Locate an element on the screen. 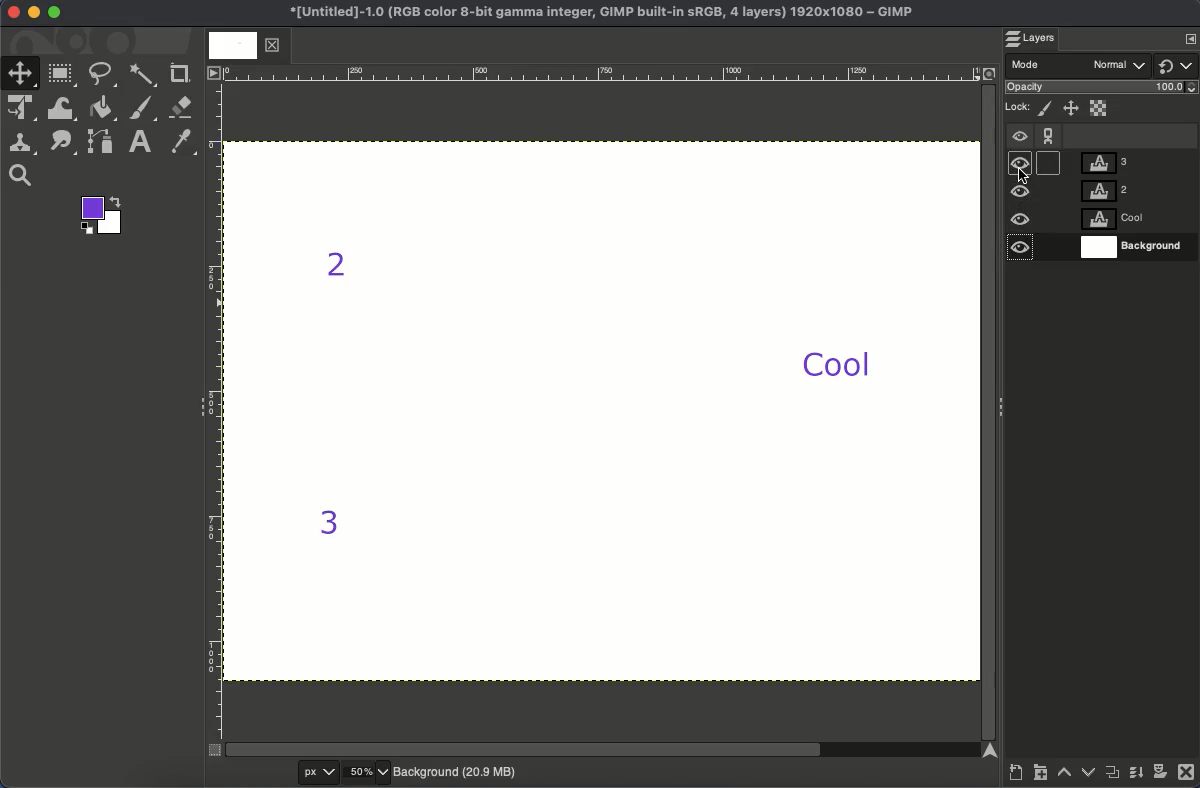 This screenshot has width=1200, height=788. Free select is located at coordinates (106, 74).